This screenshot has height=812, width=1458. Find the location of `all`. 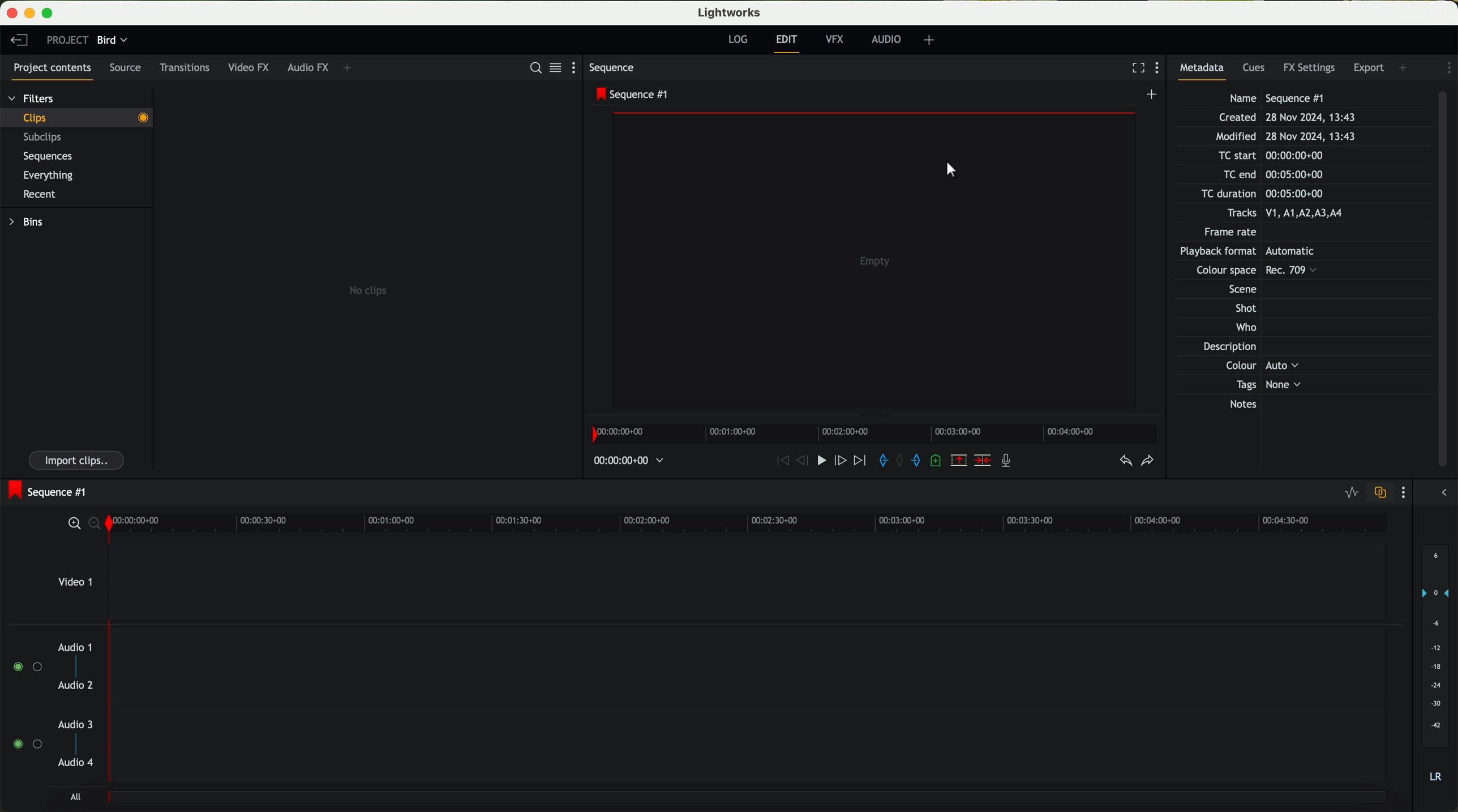

all is located at coordinates (750, 802).